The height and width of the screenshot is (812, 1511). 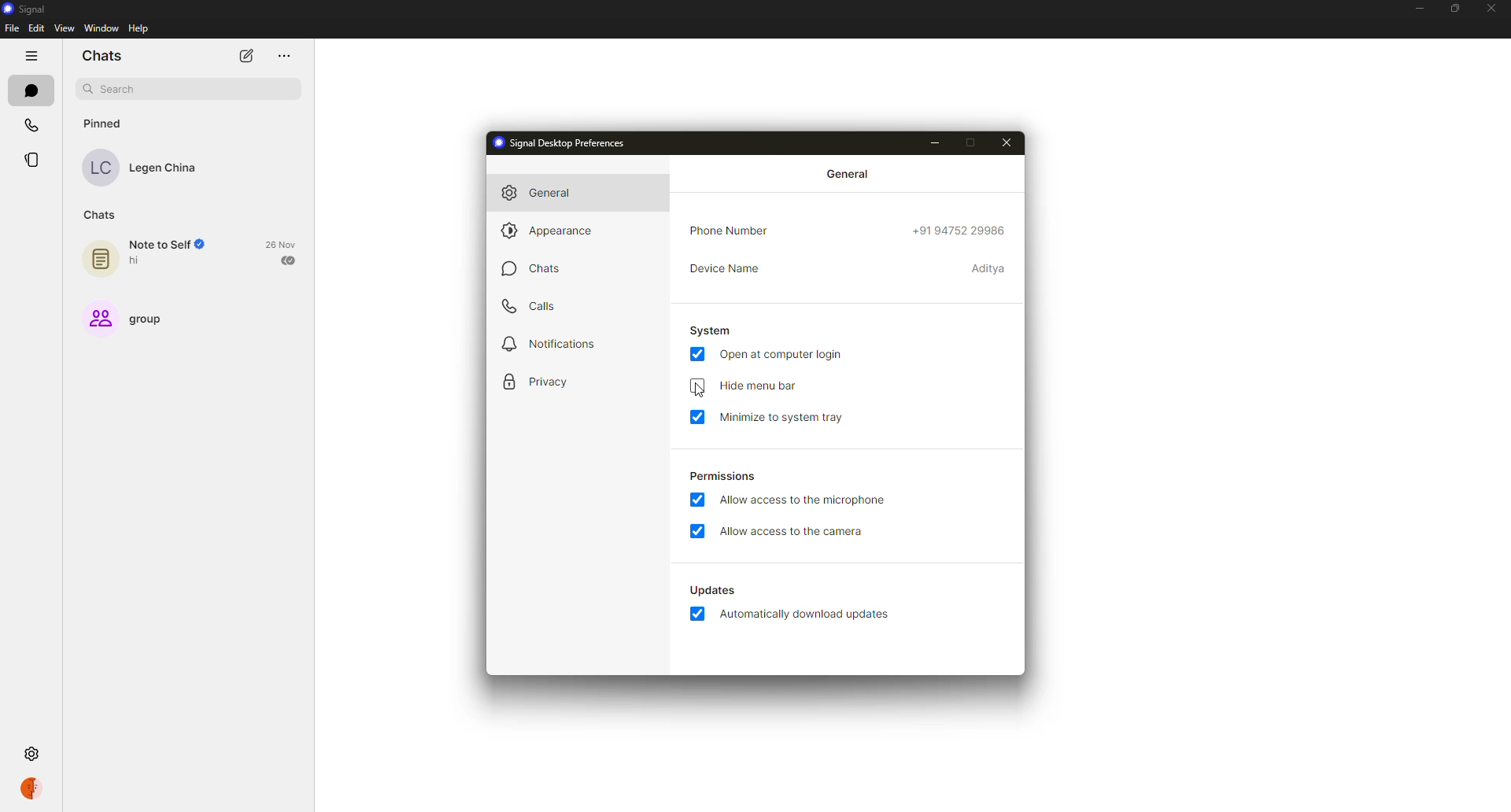 I want to click on signal desktop preferences, so click(x=560, y=142).